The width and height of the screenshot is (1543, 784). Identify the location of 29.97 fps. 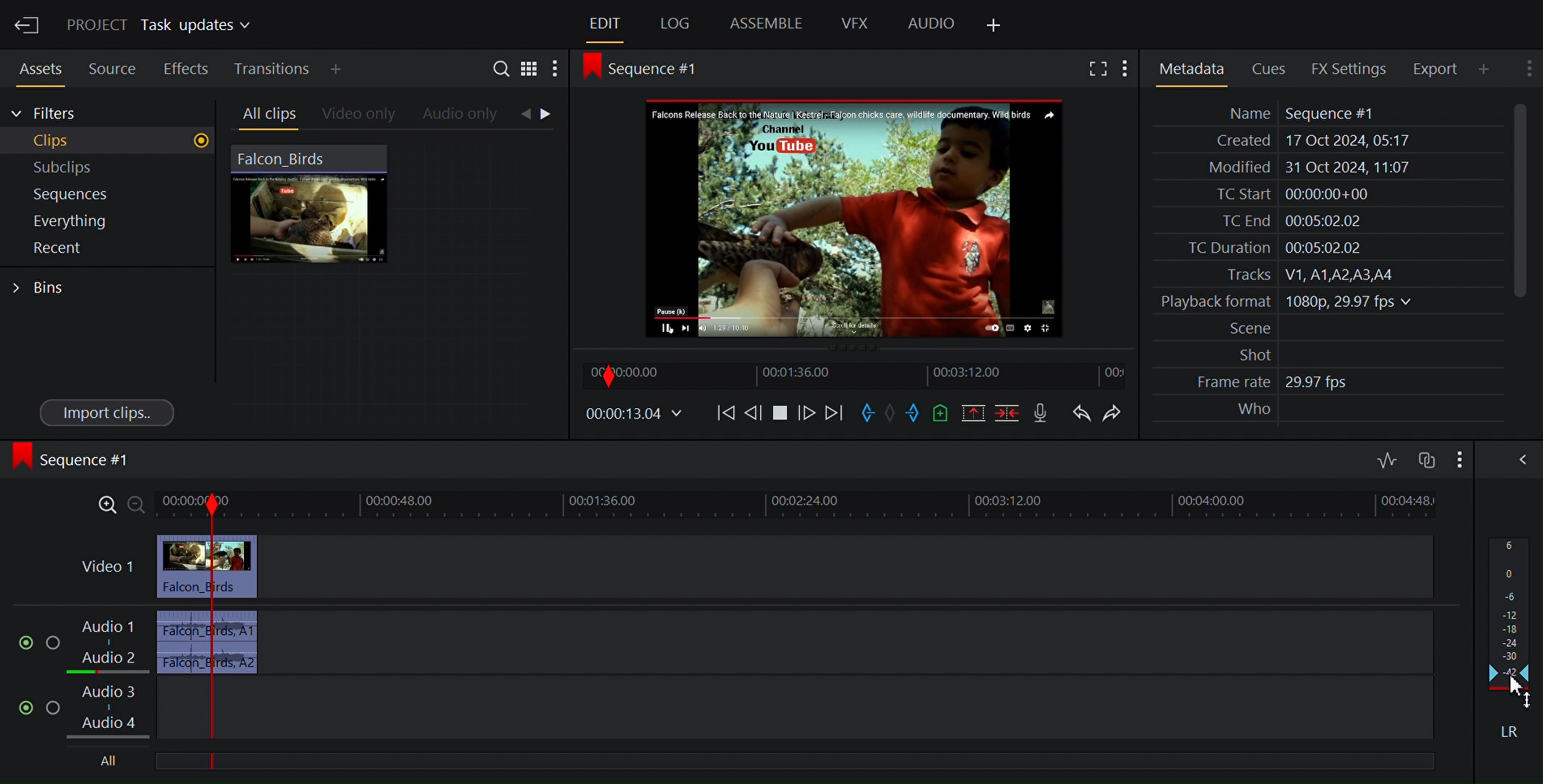
(1321, 383).